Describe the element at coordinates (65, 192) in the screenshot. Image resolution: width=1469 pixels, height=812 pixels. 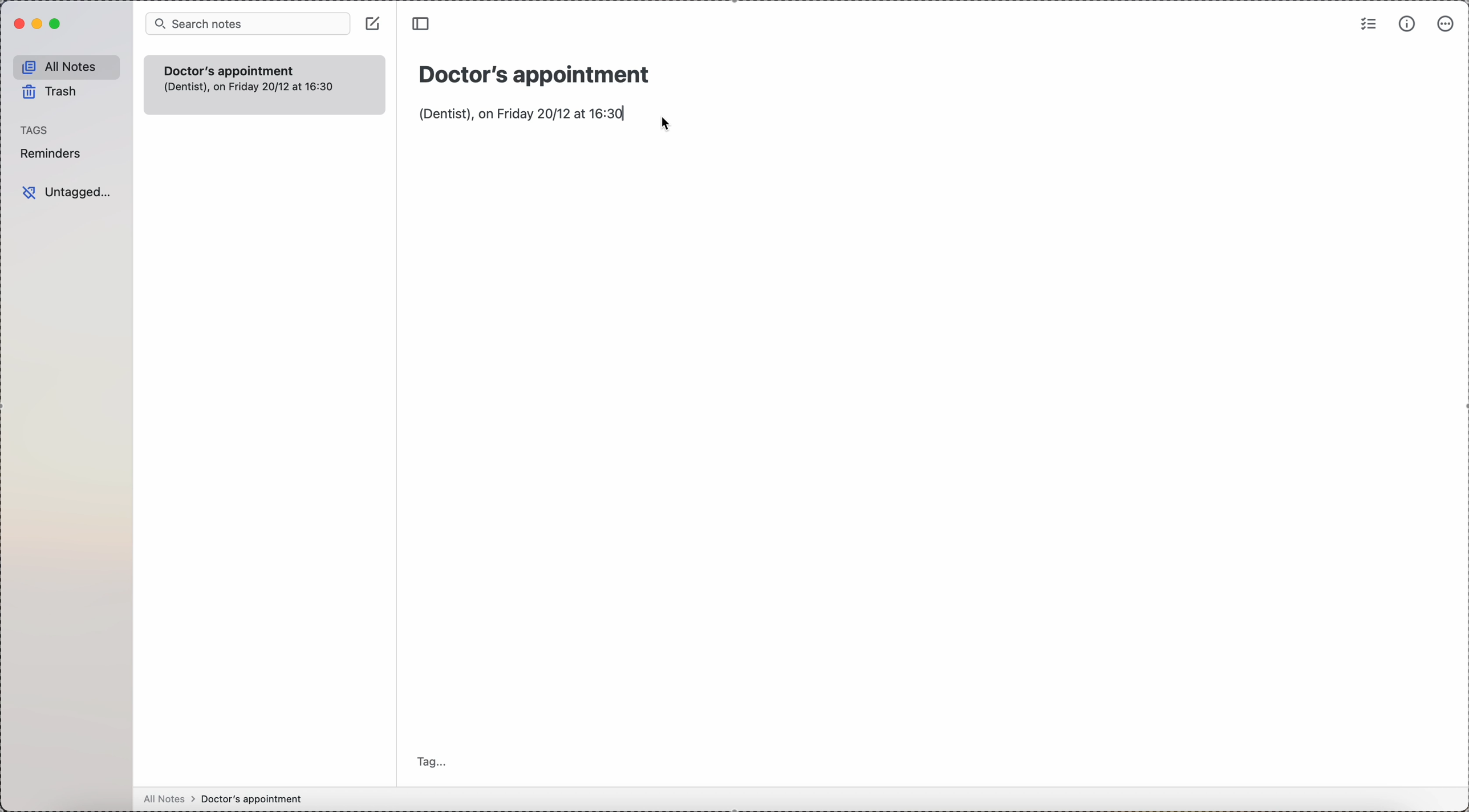
I see `untagged` at that location.